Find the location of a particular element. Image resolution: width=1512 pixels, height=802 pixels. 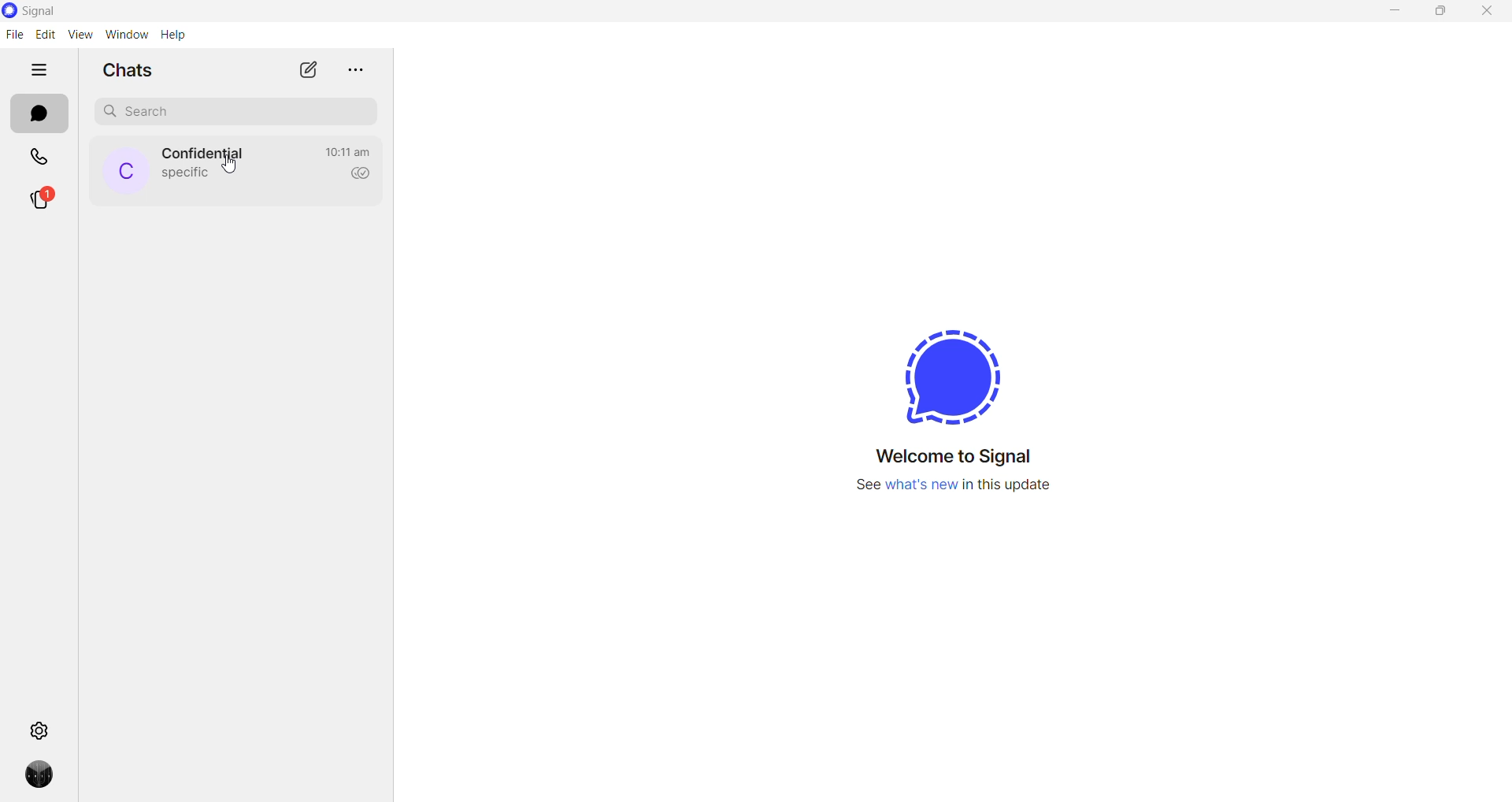

file is located at coordinates (16, 36).